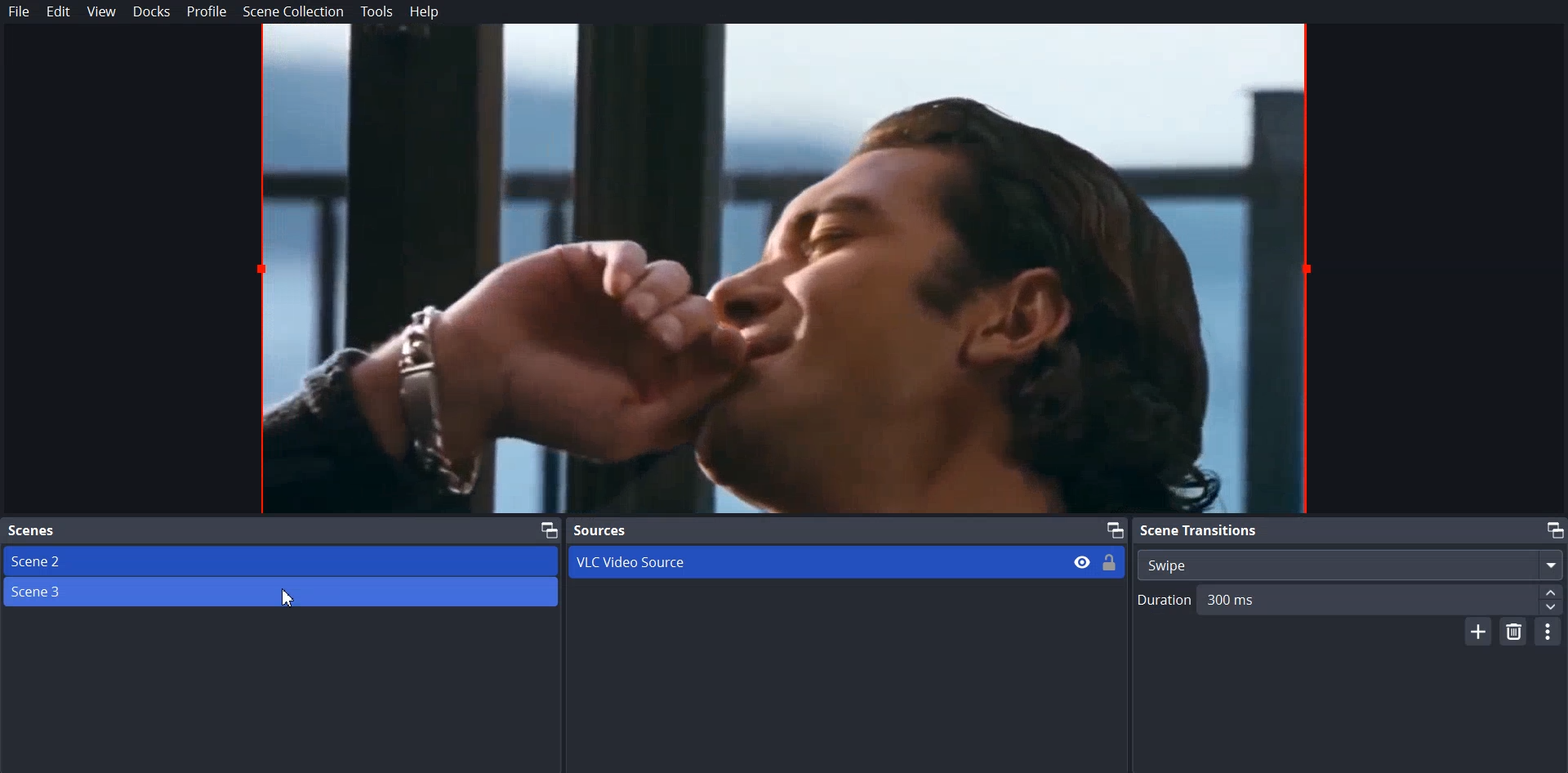 This screenshot has height=773, width=1568. I want to click on Scene Collection, so click(293, 11).